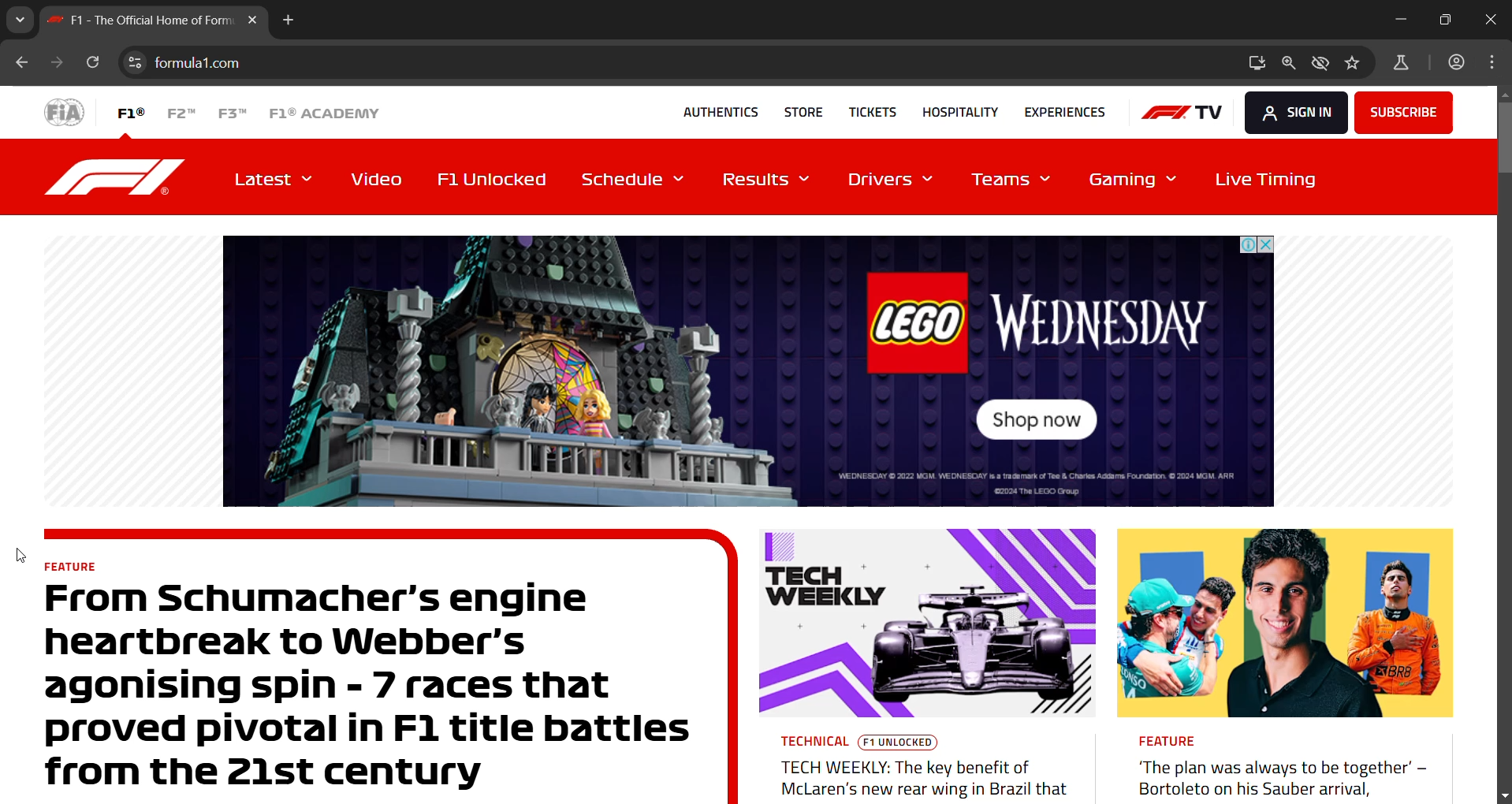 This screenshot has width=1512, height=804. Describe the element at coordinates (22, 65) in the screenshot. I see `click to go back` at that location.